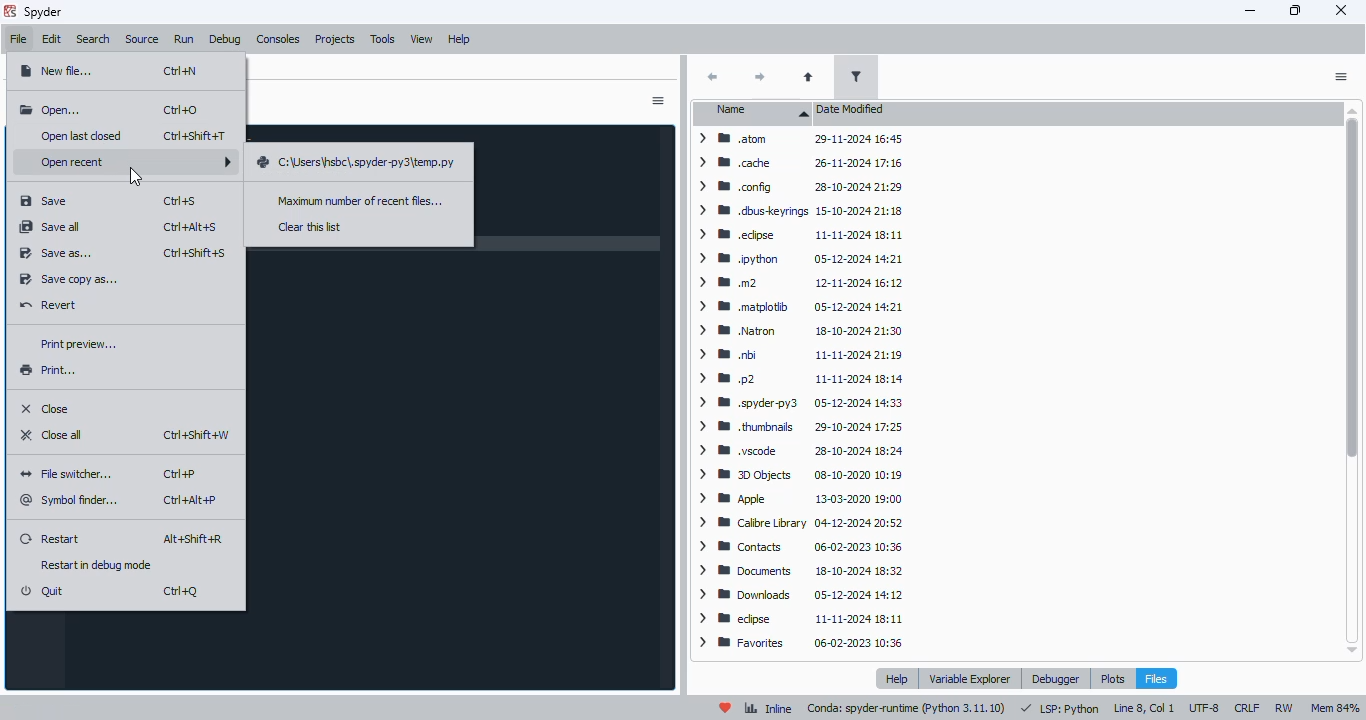 This screenshot has height=720, width=1366. What do you see at coordinates (801, 139) in the screenshot?
I see `> BB atom 29-11-2024 16:45` at bounding box center [801, 139].